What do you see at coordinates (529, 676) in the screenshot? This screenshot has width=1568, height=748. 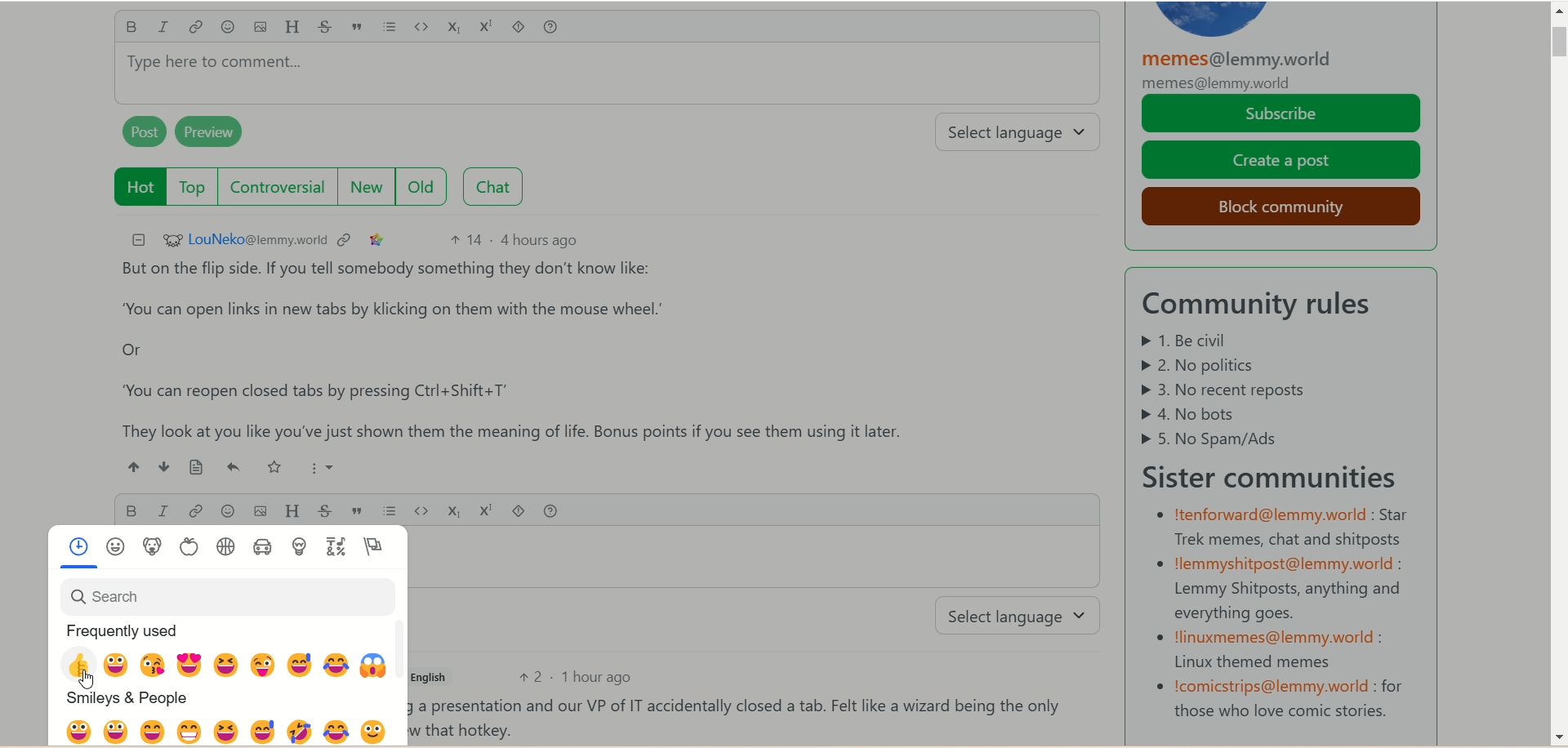 I see `2 votes up` at bounding box center [529, 676].